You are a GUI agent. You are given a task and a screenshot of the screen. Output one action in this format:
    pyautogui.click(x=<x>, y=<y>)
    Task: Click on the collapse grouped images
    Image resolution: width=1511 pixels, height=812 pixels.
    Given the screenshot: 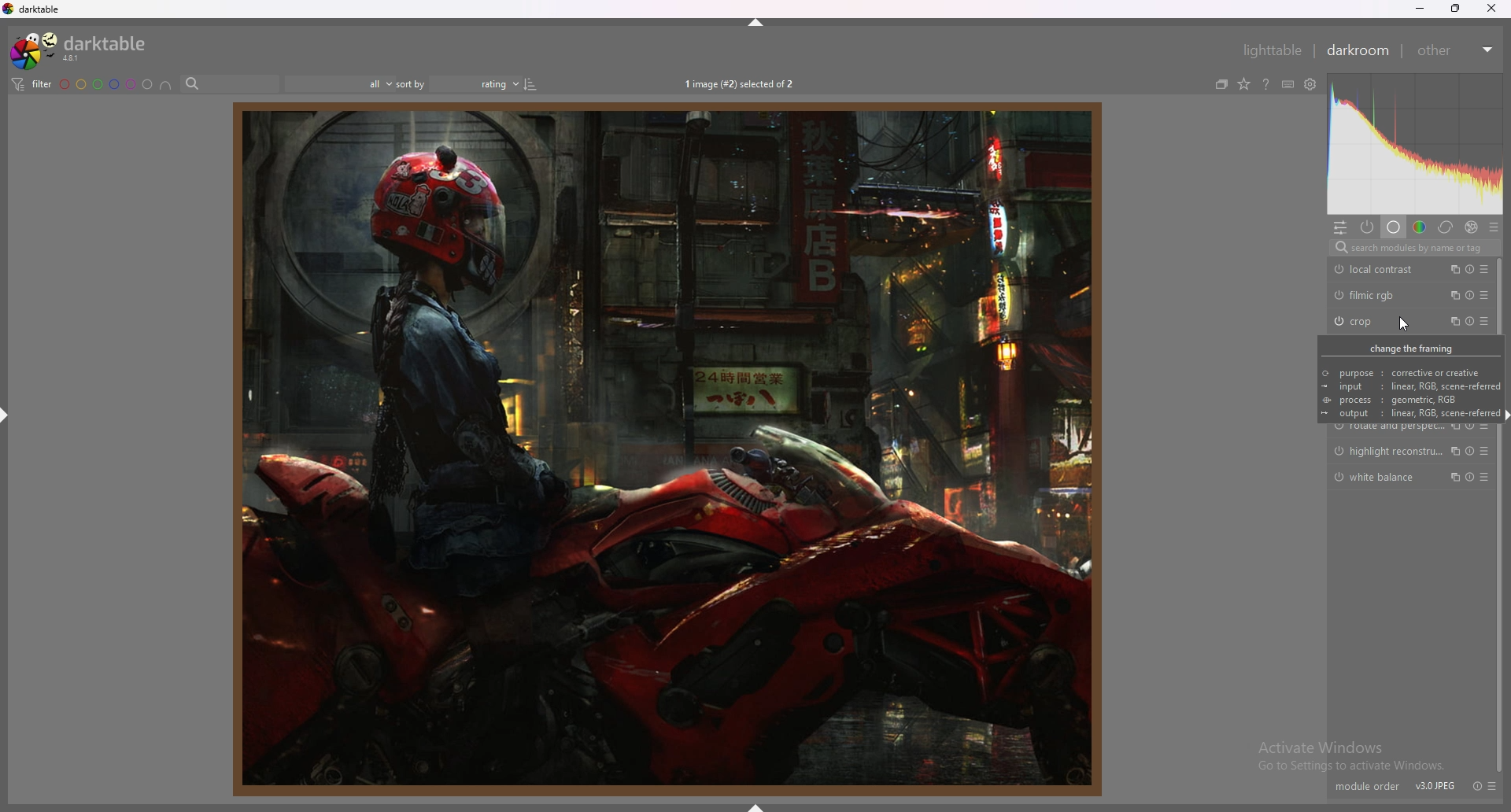 What is the action you would take?
    pyautogui.click(x=1221, y=84)
    